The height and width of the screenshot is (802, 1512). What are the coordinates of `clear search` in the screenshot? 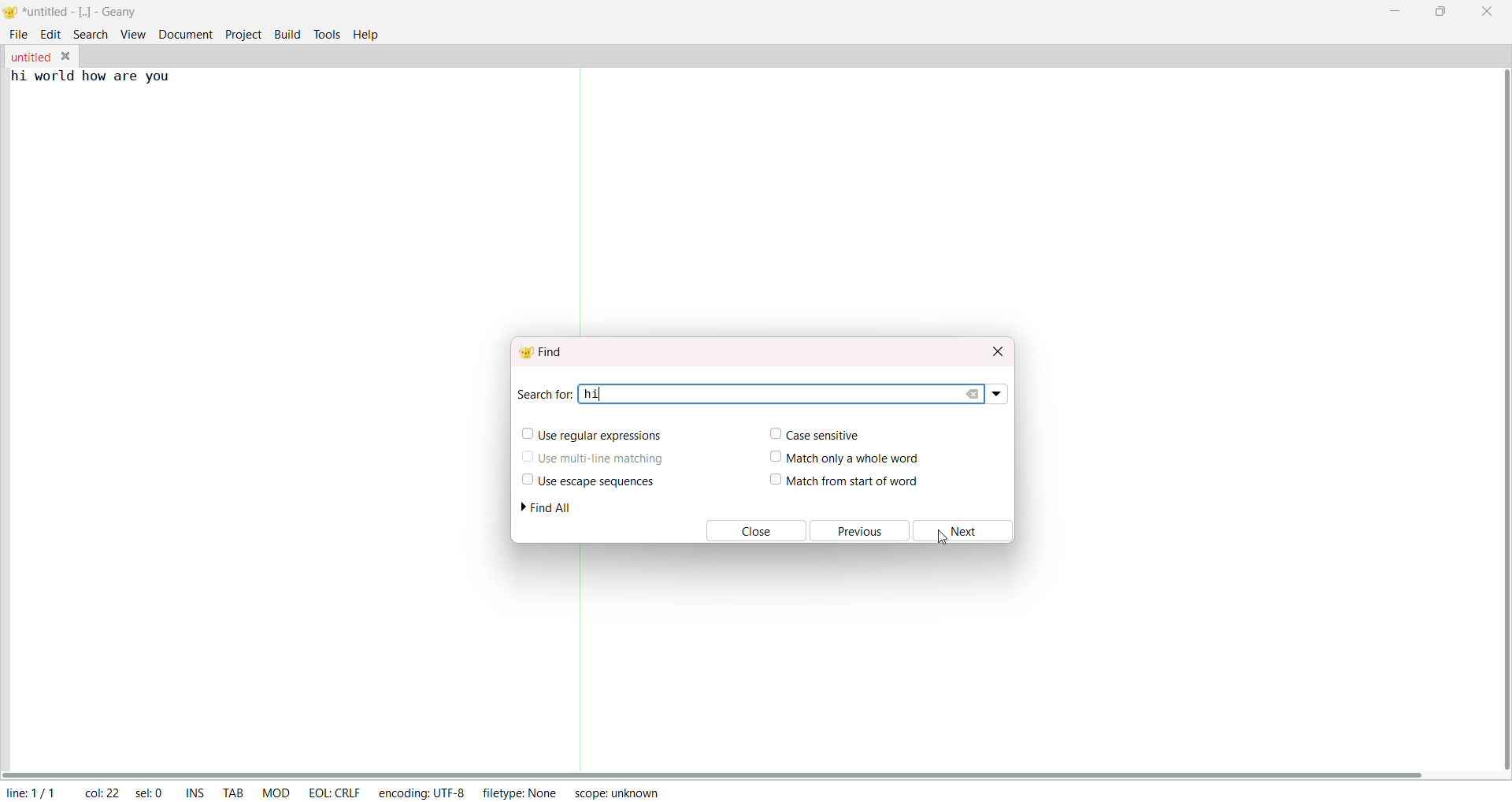 It's located at (973, 394).